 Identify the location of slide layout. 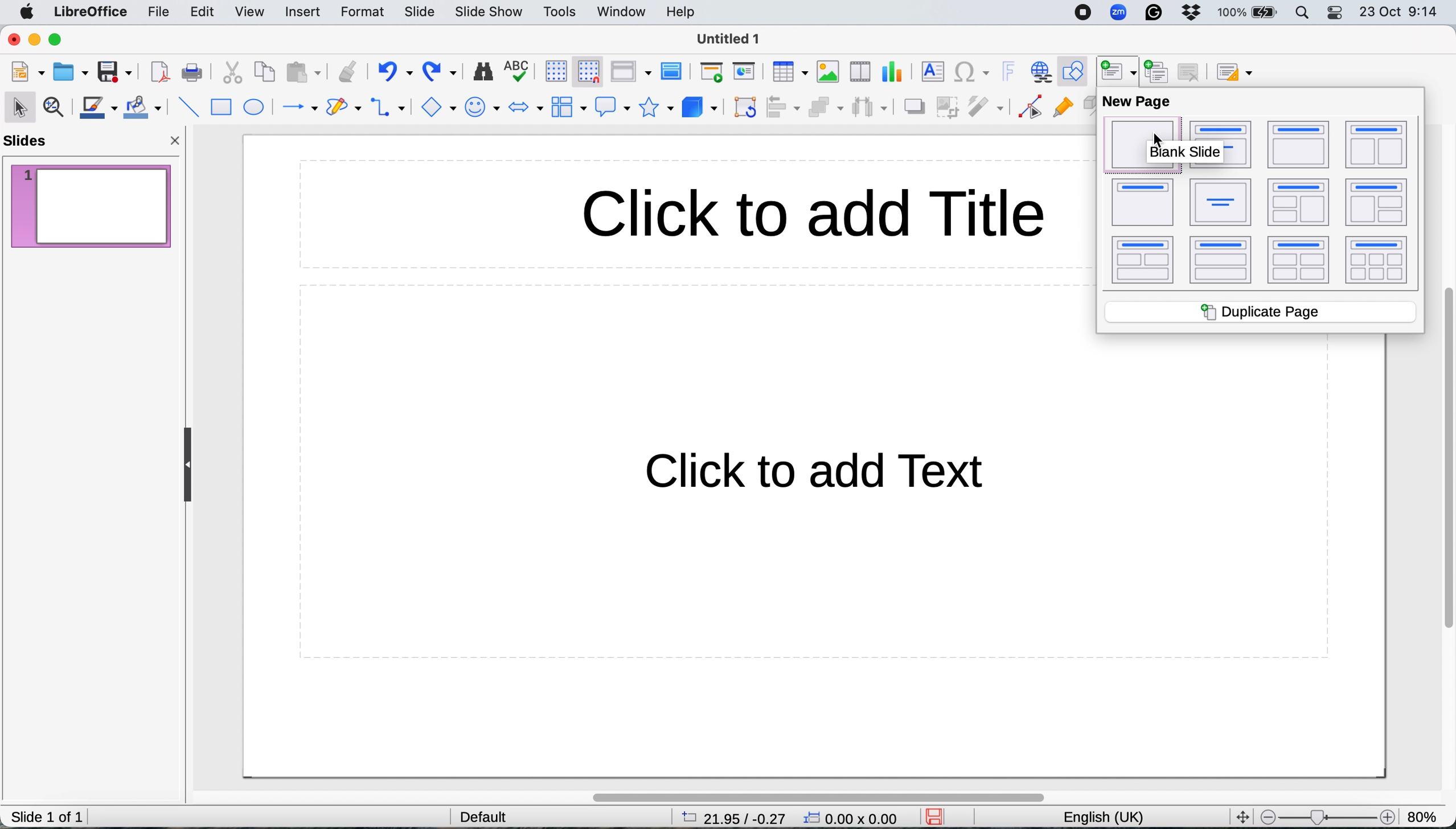
(1234, 72).